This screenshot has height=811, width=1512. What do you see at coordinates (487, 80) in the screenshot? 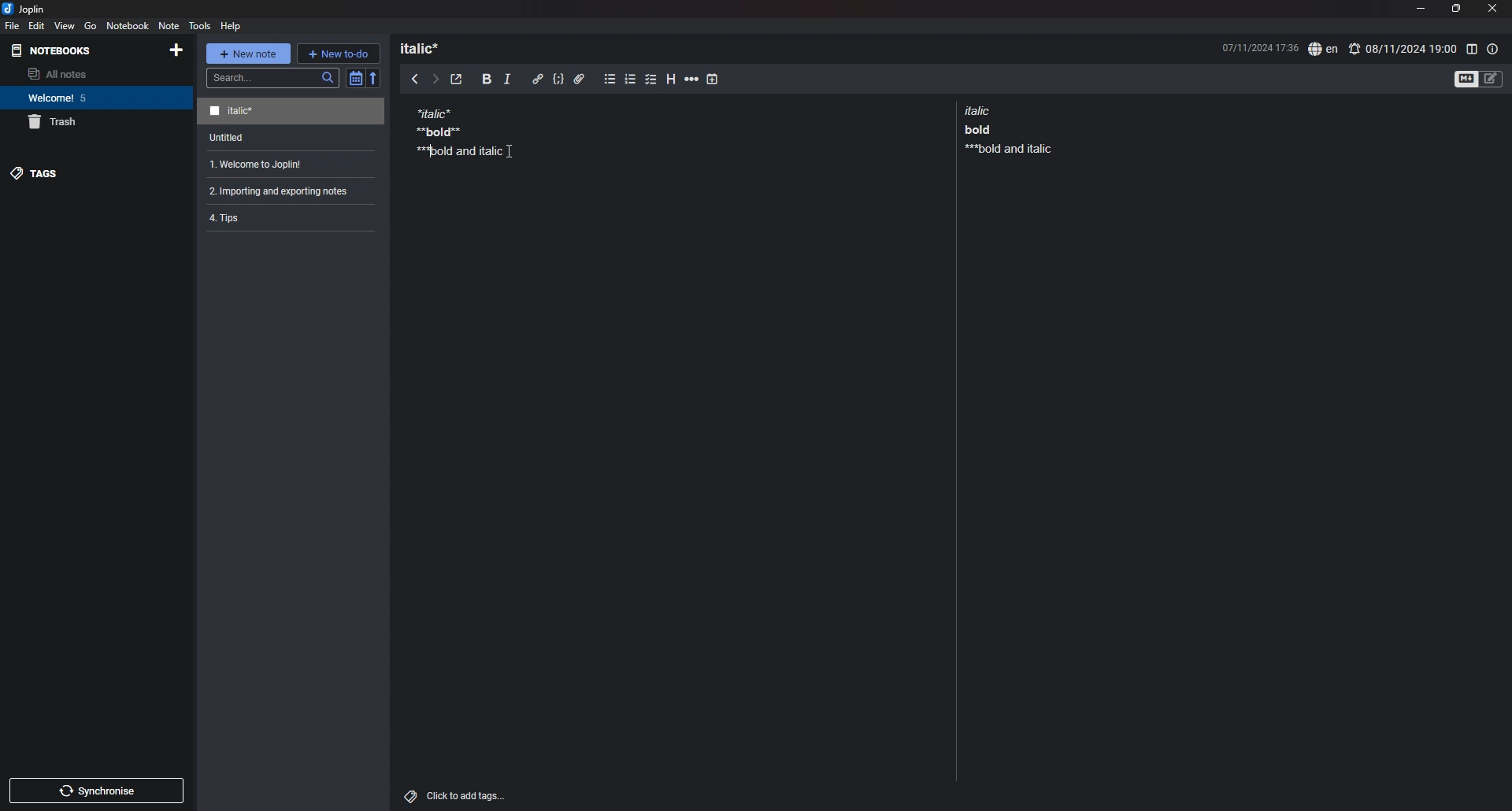
I see `bold` at bounding box center [487, 80].